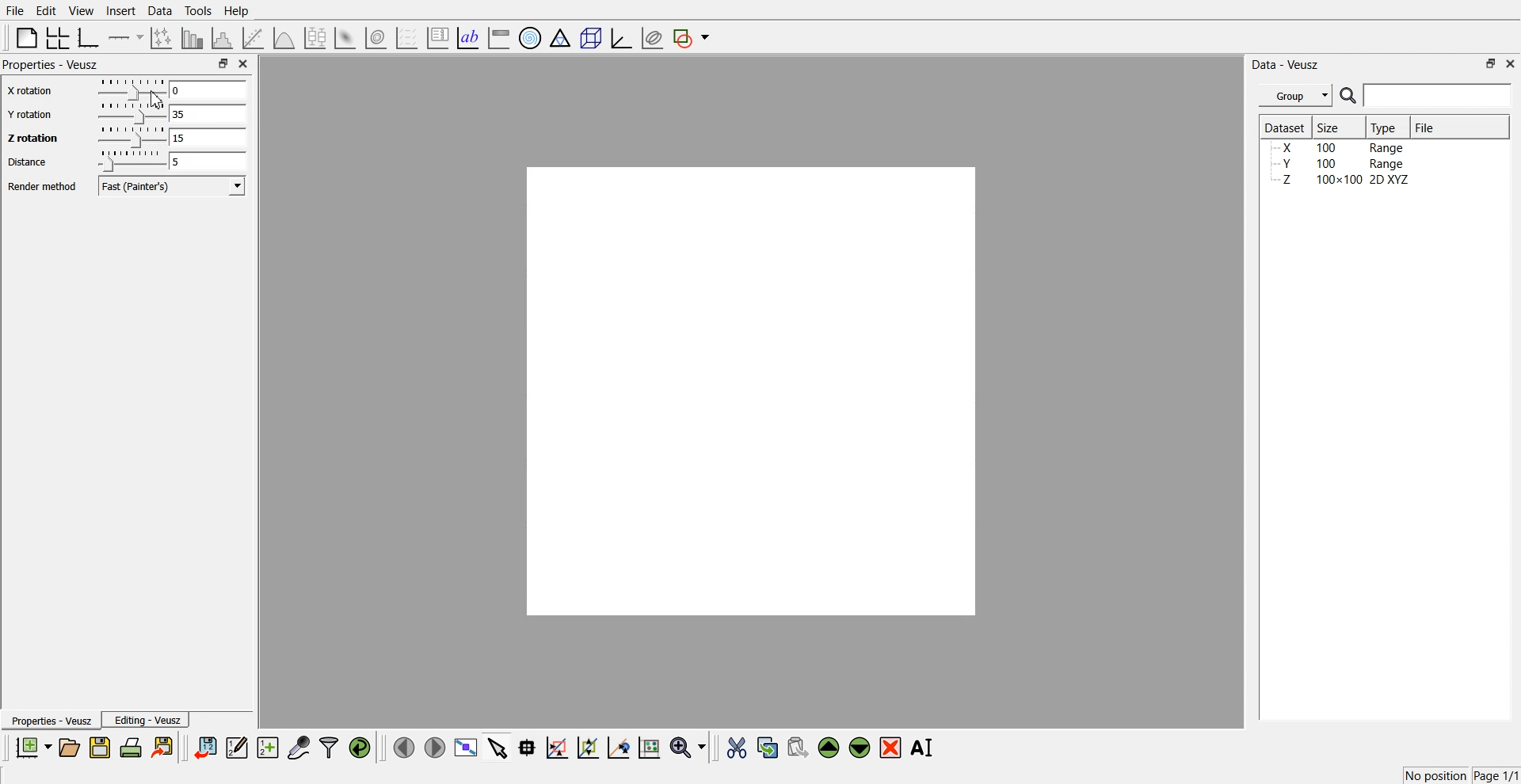  What do you see at coordinates (1511, 63) in the screenshot?
I see `Close` at bounding box center [1511, 63].